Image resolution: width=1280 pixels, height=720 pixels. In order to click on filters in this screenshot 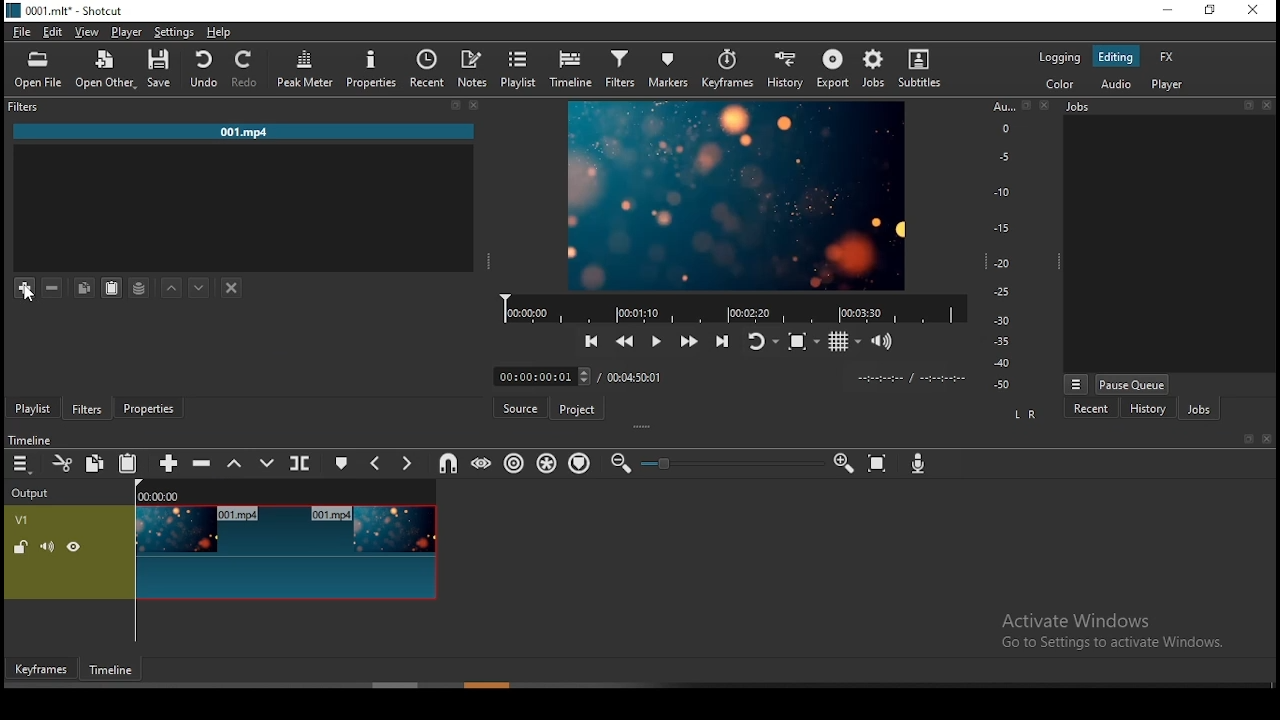, I will do `click(247, 105)`.